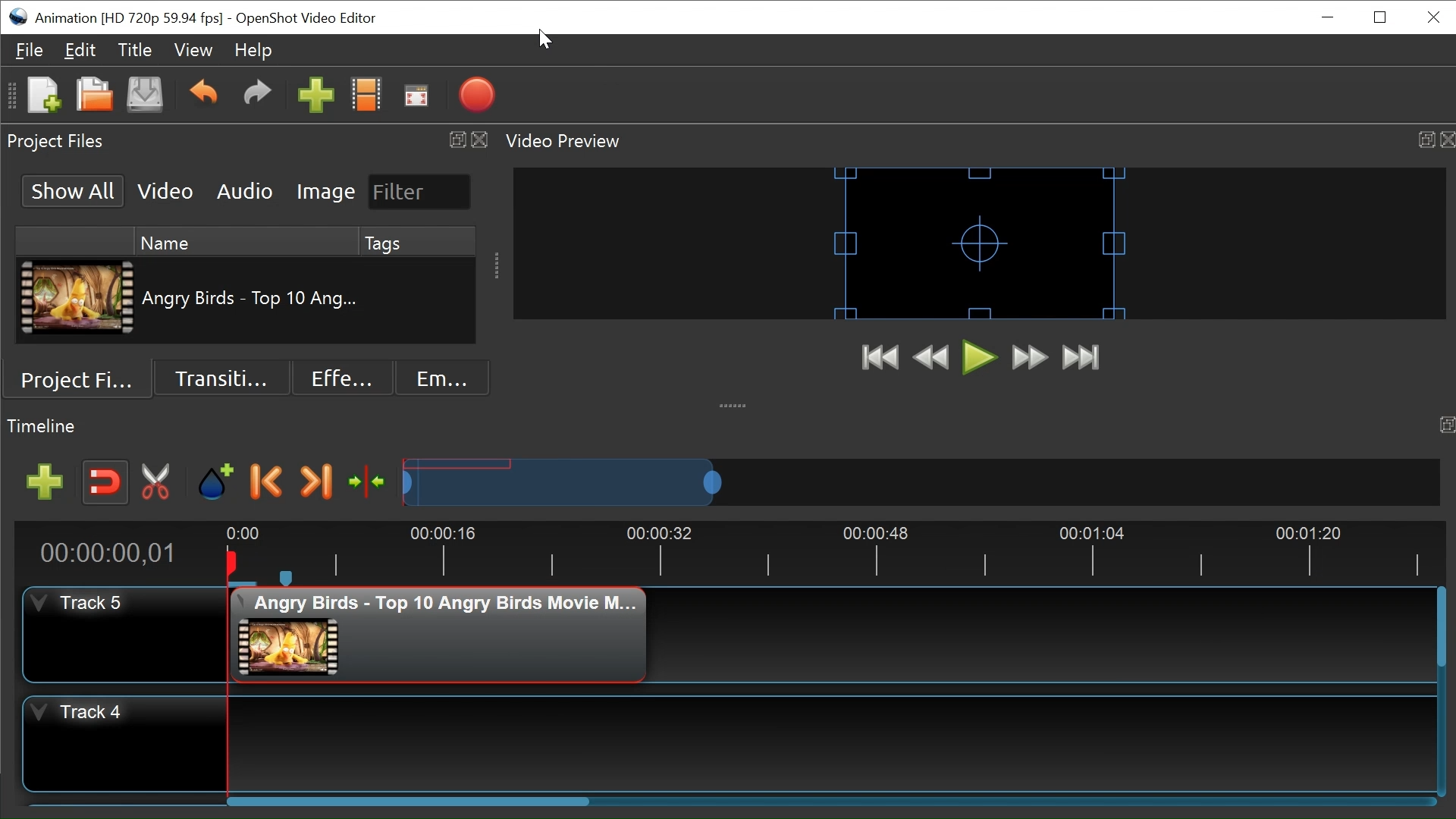 This screenshot has height=819, width=1456. I want to click on Timeline Panel, so click(728, 424).